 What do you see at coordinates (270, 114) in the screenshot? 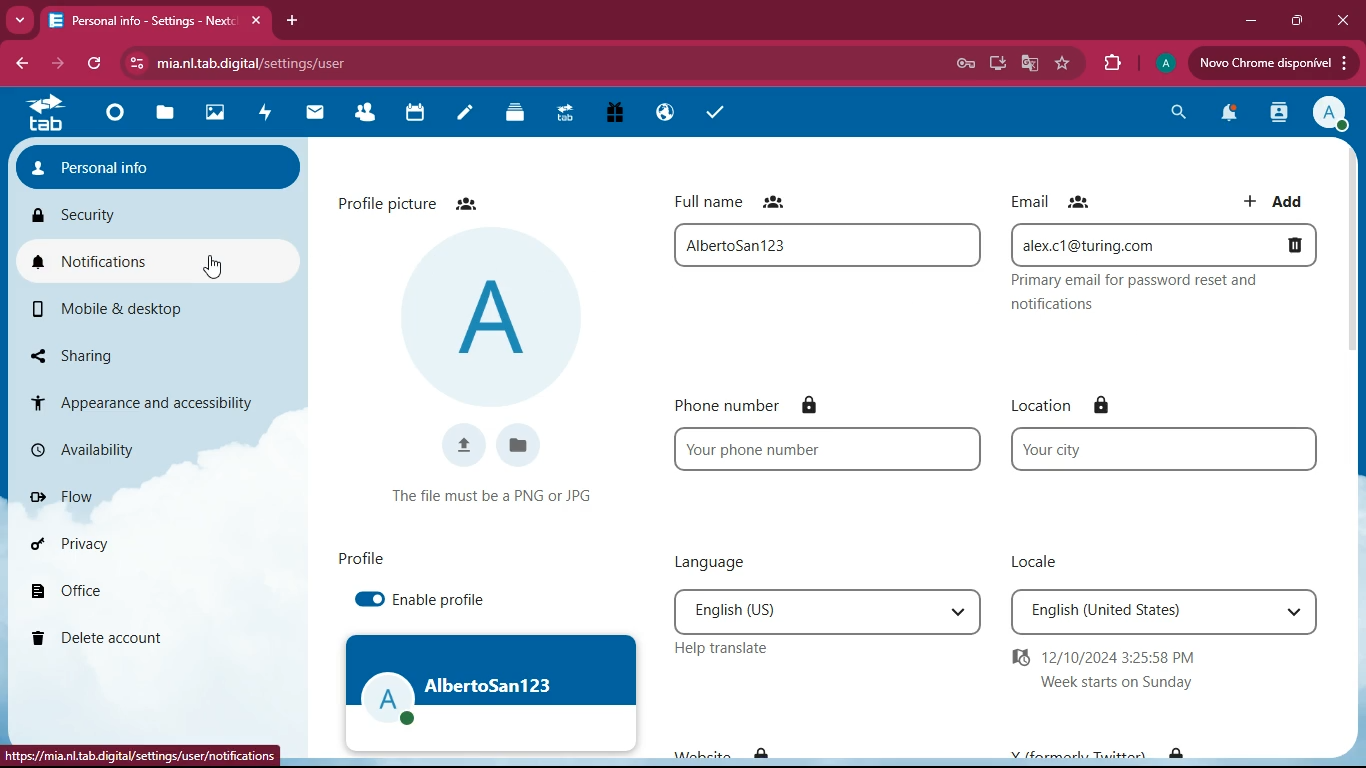
I see `activity` at bounding box center [270, 114].